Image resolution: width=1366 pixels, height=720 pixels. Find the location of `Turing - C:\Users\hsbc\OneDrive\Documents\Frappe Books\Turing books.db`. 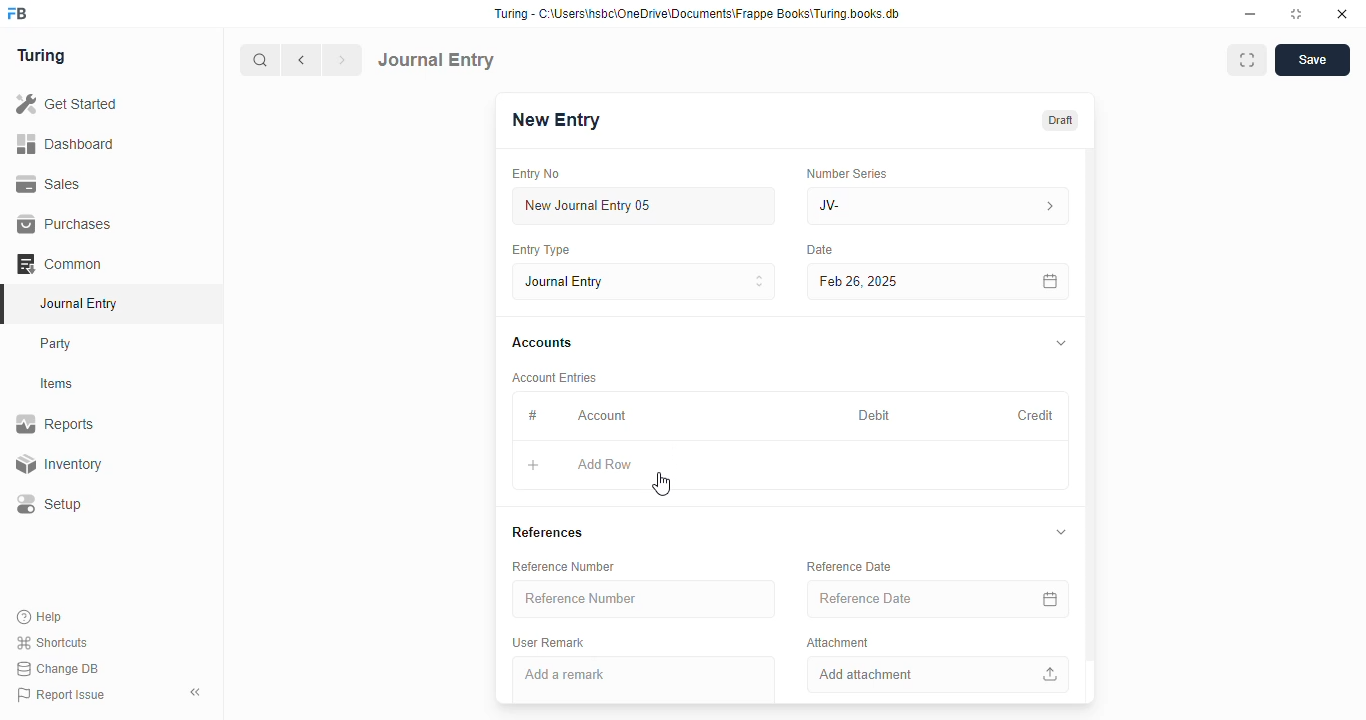

Turing - C:\Users\hsbc\OneDrive\Documents\Frappe Books\Turing books.db is located at coordinates (696, 14).